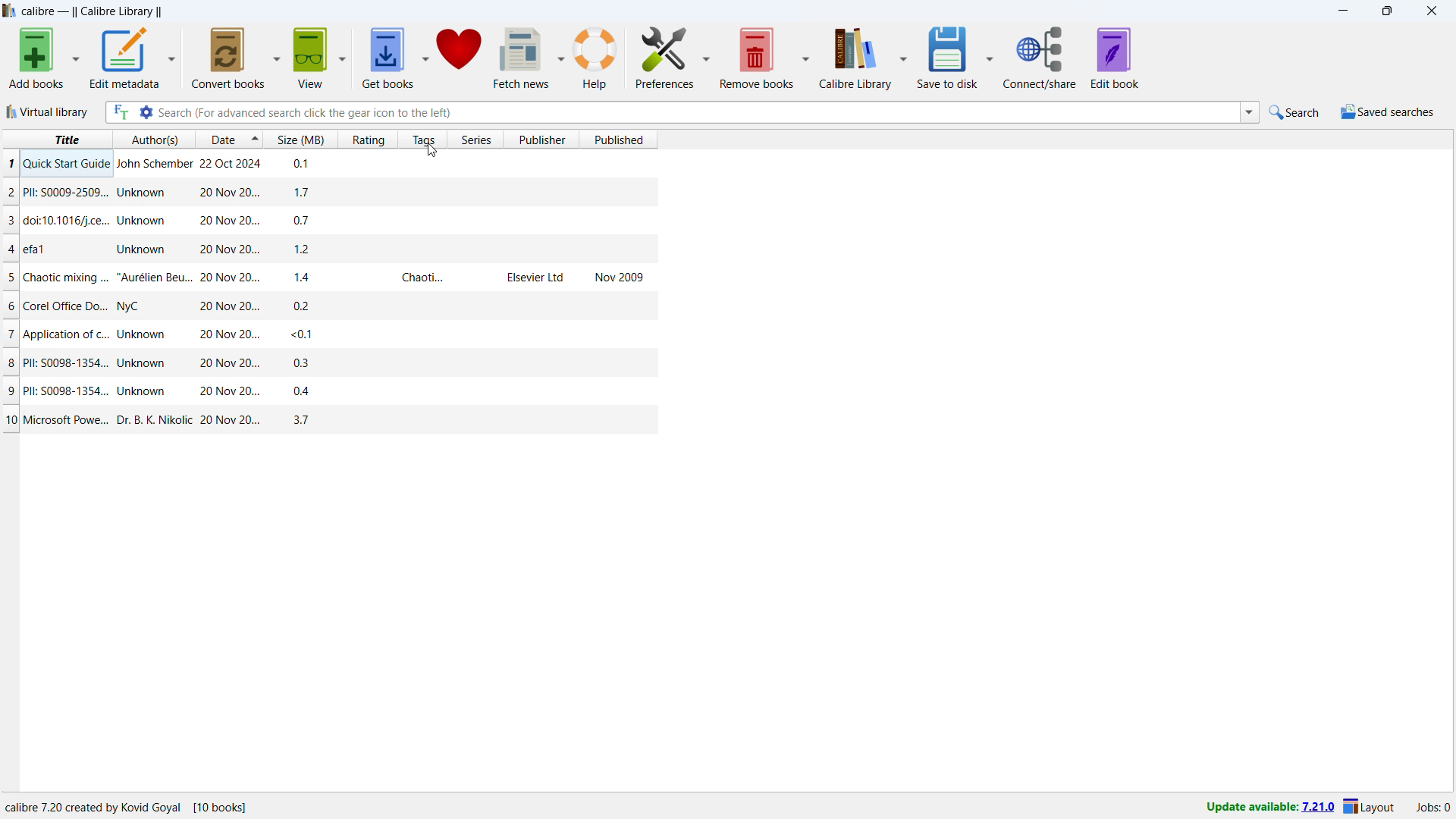 This screenshot has height=819, width=1456. I want to click on preferences, so click(664, 55).